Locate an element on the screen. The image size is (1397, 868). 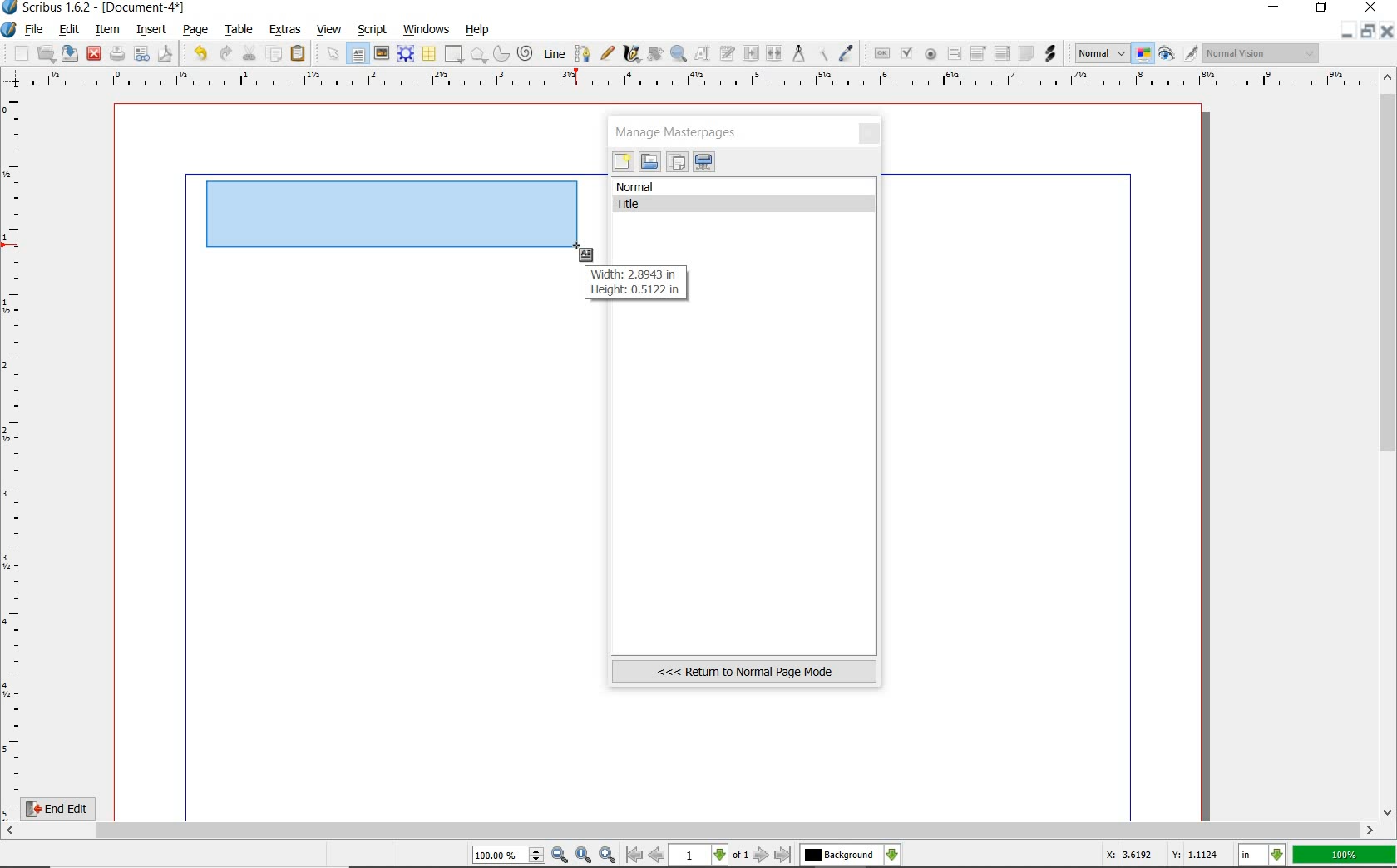
Bezier curve is located at coordinates (580, 53).